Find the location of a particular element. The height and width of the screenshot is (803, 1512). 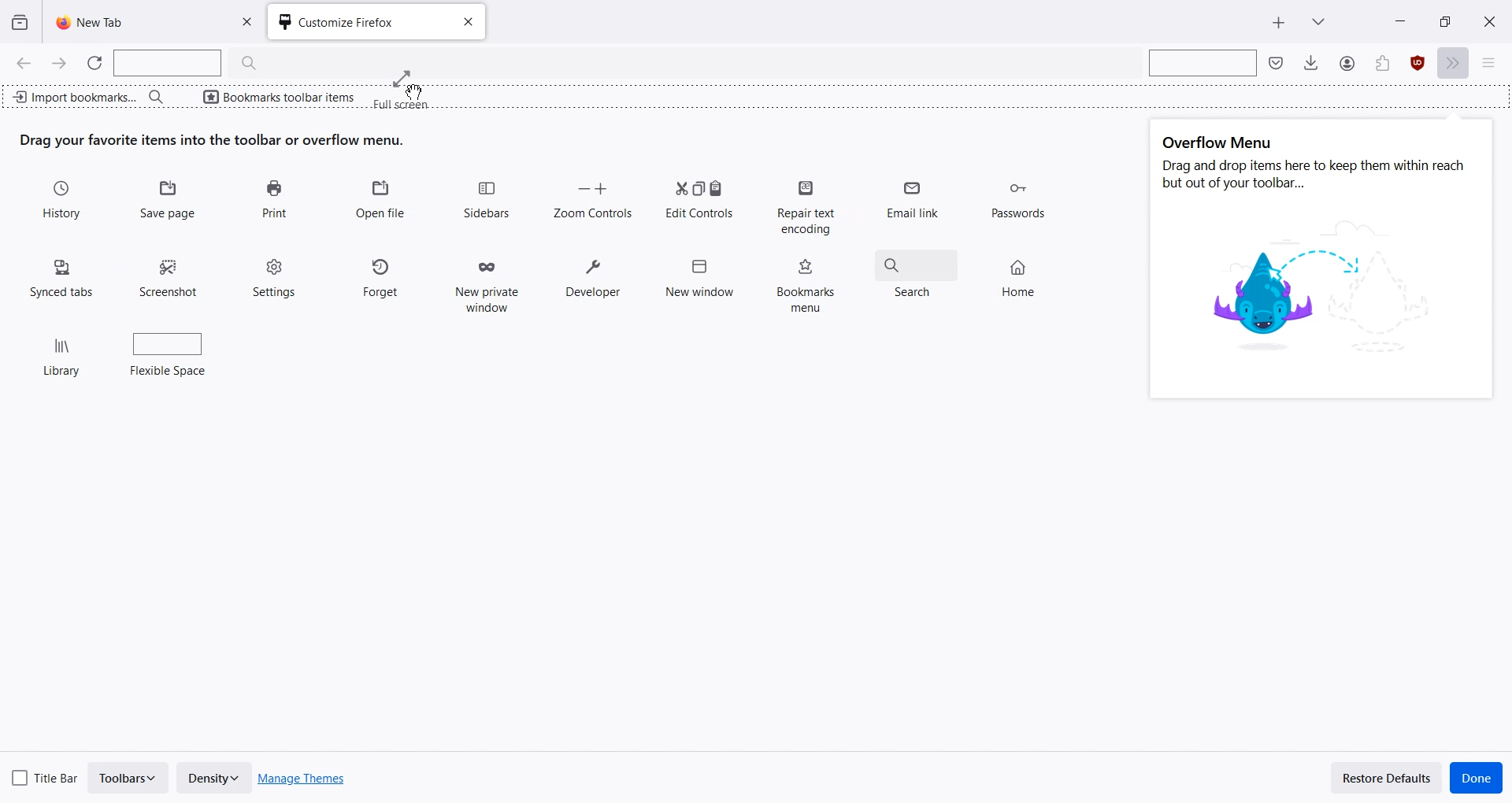

Screenshot is located at coordinates (171, 273).